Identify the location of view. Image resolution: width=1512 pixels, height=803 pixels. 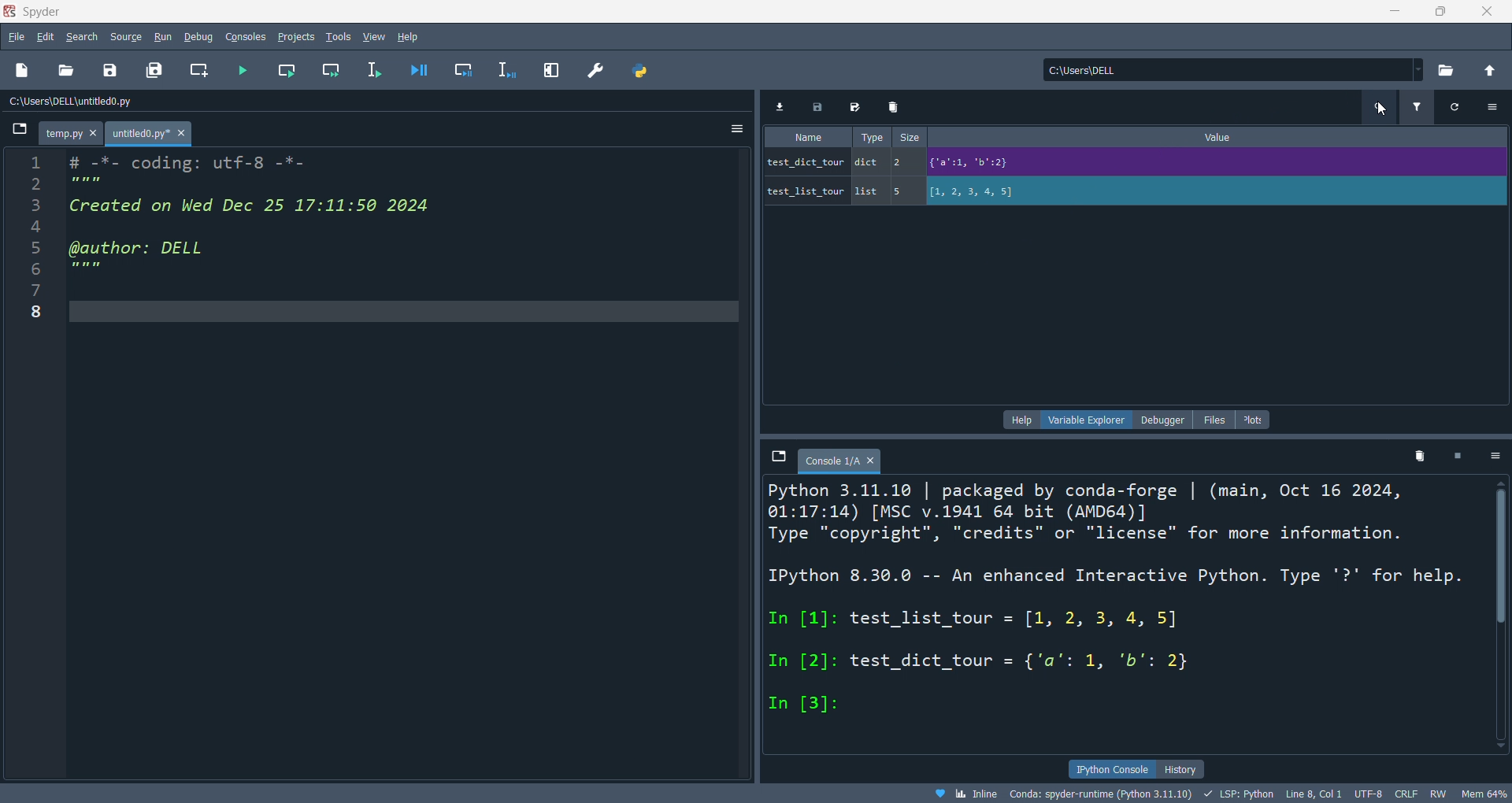
(372, 35).